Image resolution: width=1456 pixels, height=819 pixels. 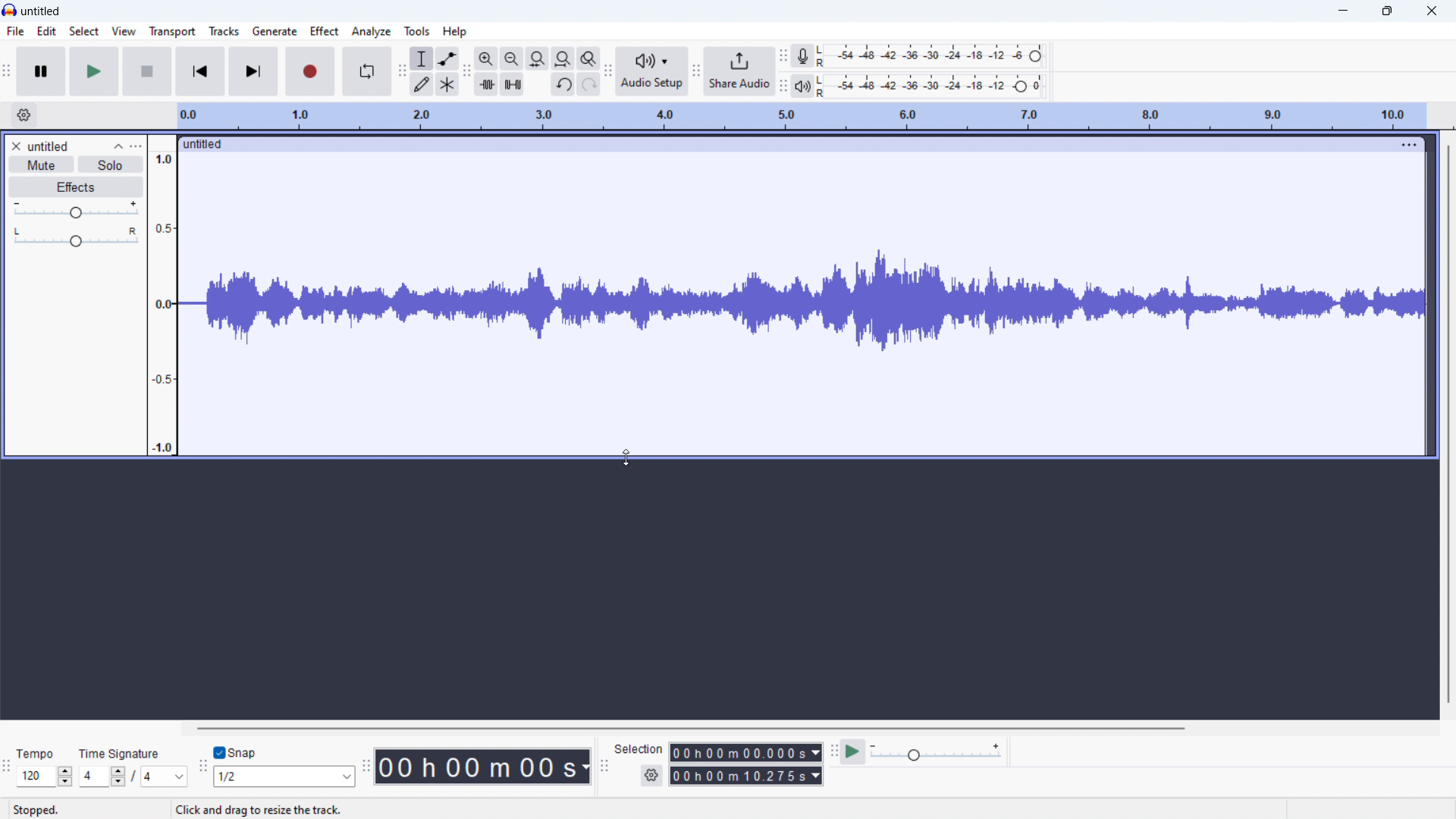 What do you see at coordinates (485, 58) in the screenshot?
I see `zoom in` at bounding box center [485, 58].